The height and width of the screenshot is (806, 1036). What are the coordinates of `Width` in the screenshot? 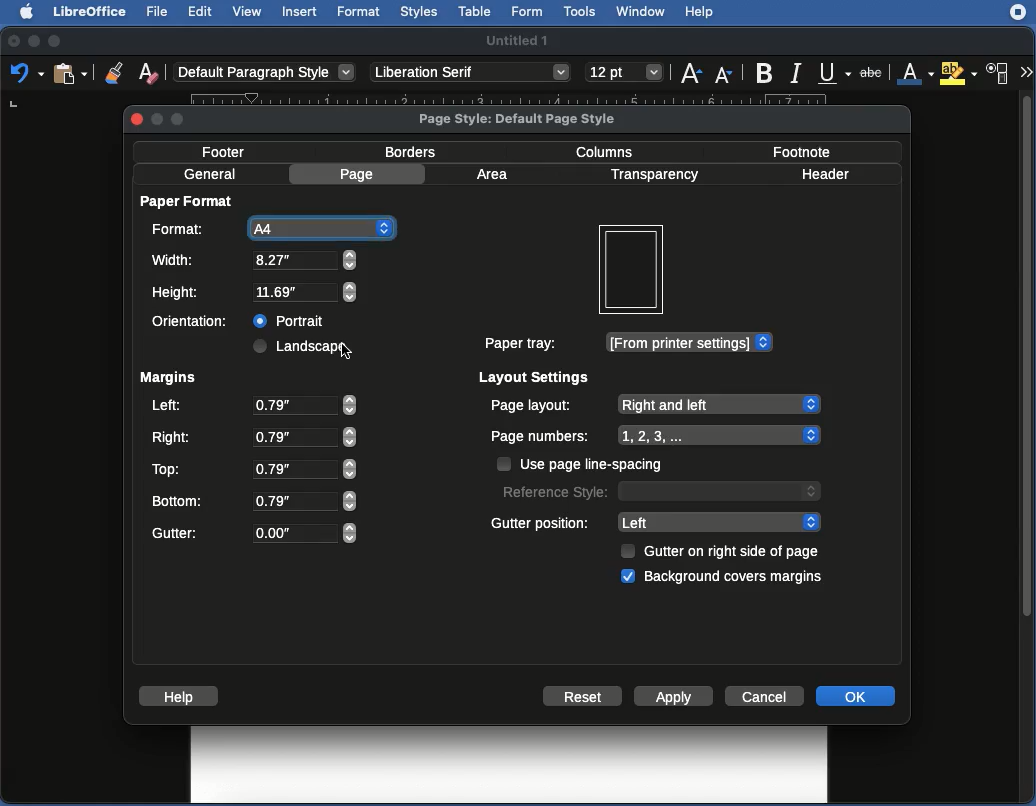 It's located at (175, 260).